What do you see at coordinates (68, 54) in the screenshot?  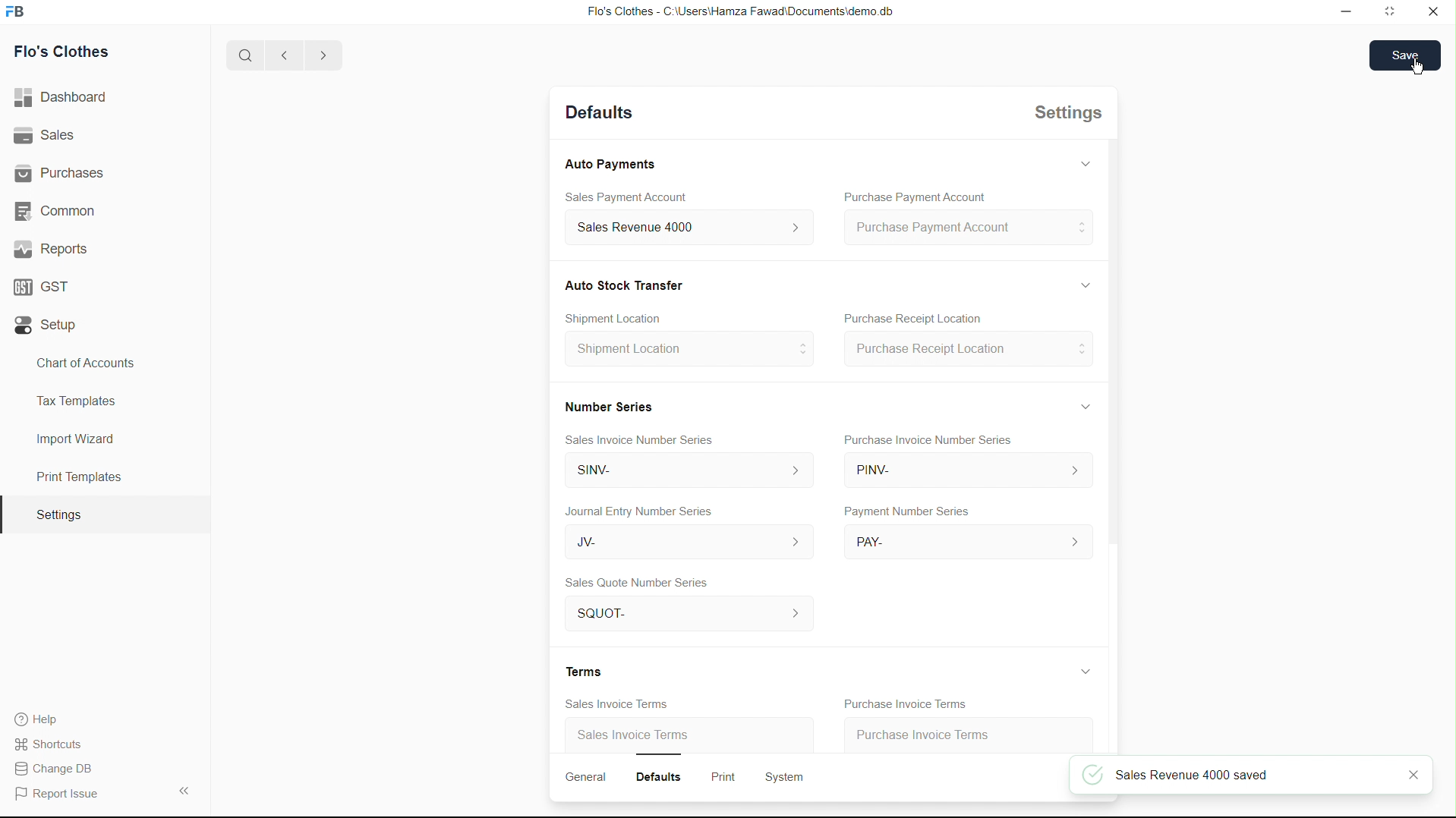 I see `Flo's Clothes` at bounding box center [68, 54].